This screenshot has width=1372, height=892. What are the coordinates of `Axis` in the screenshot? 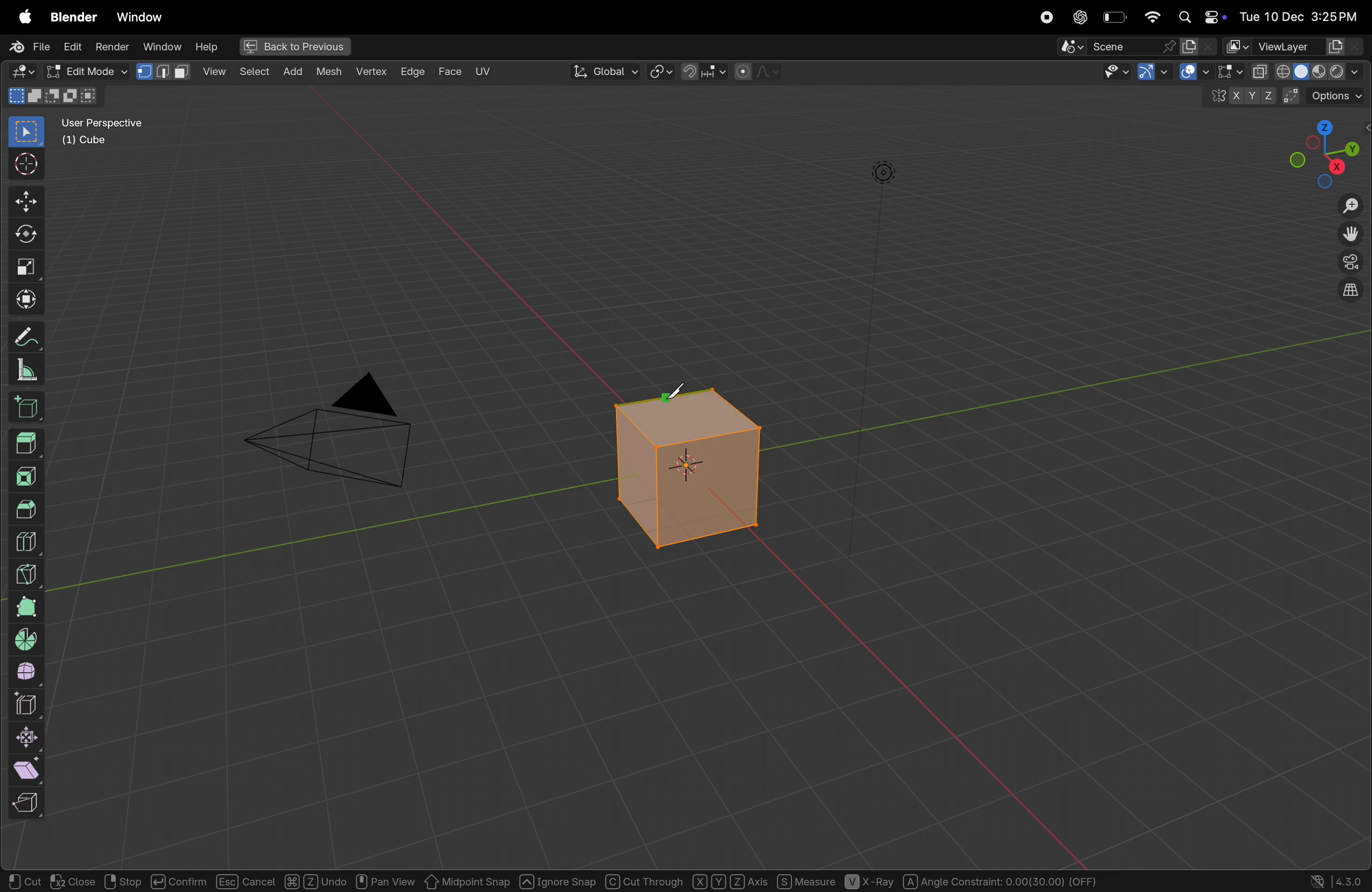 It's located at (729, 880).